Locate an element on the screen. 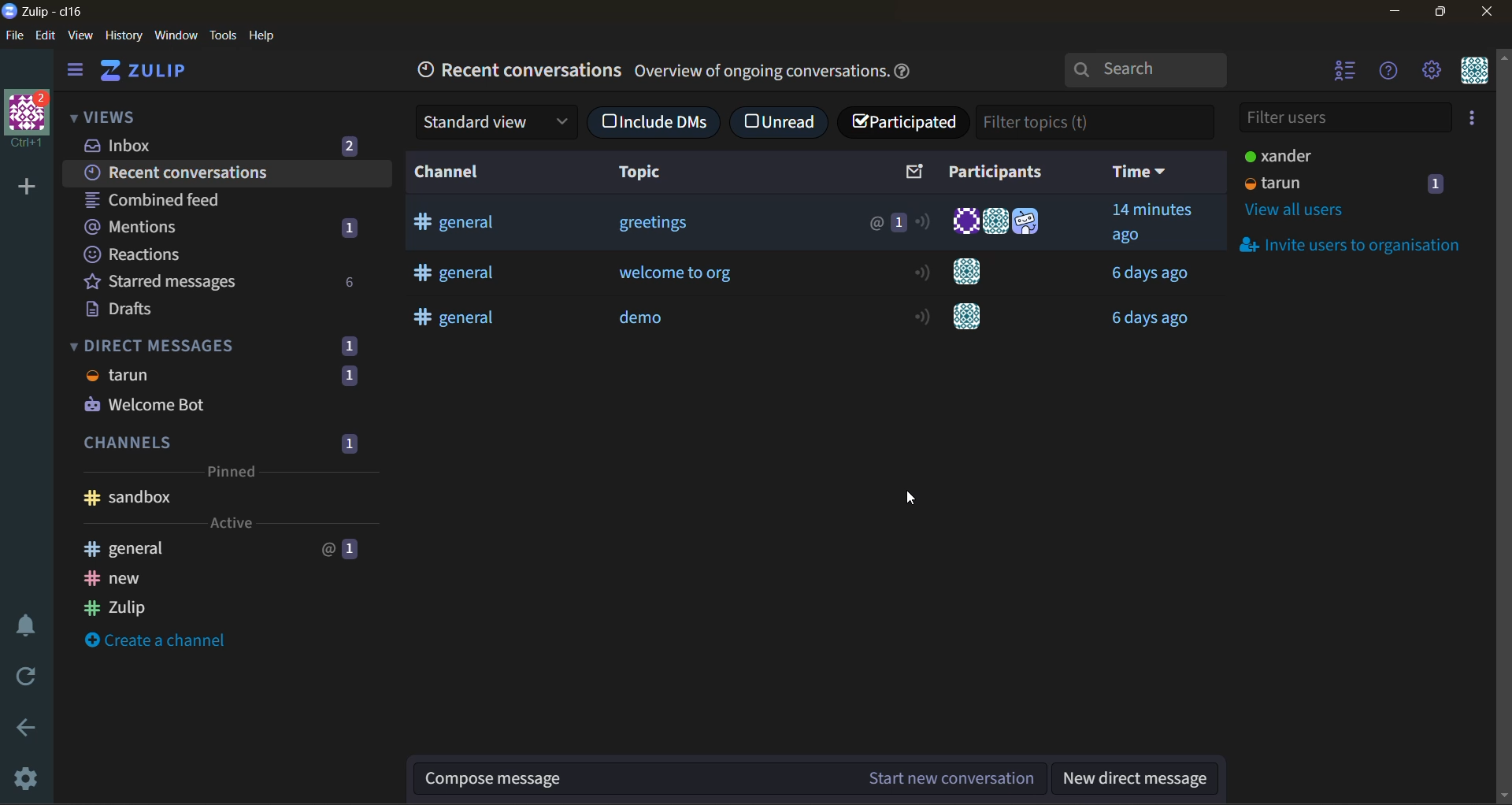 Image resolution: width=1512 pixels, height=805 pixels. go back is located at coordinates (29, 729).